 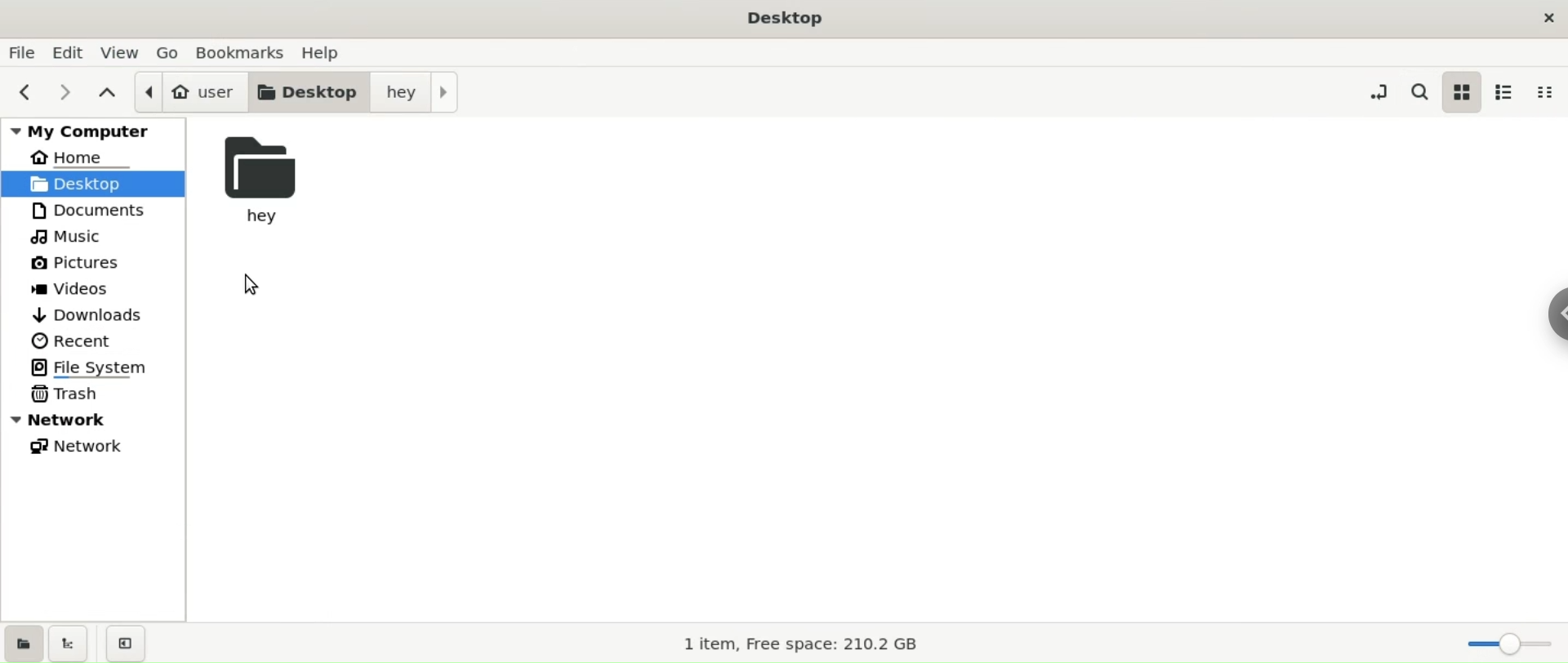 I want to click on pictures, so click(x=103, y=265).